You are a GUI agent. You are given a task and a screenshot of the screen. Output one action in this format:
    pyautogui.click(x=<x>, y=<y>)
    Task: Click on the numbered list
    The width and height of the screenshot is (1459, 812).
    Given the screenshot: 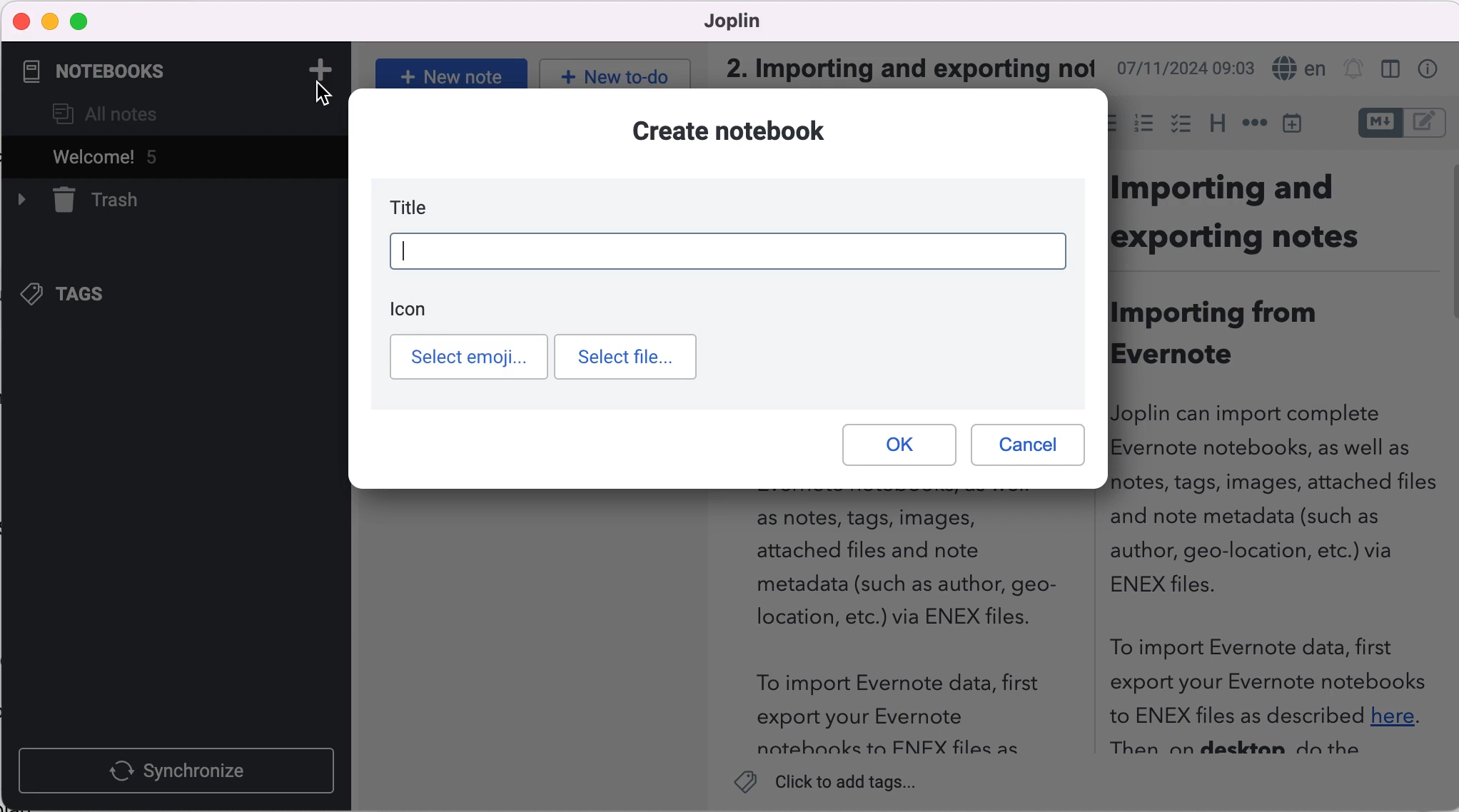 What is the action you would take?
    pyautogui.click(x=1143, y=126)
    